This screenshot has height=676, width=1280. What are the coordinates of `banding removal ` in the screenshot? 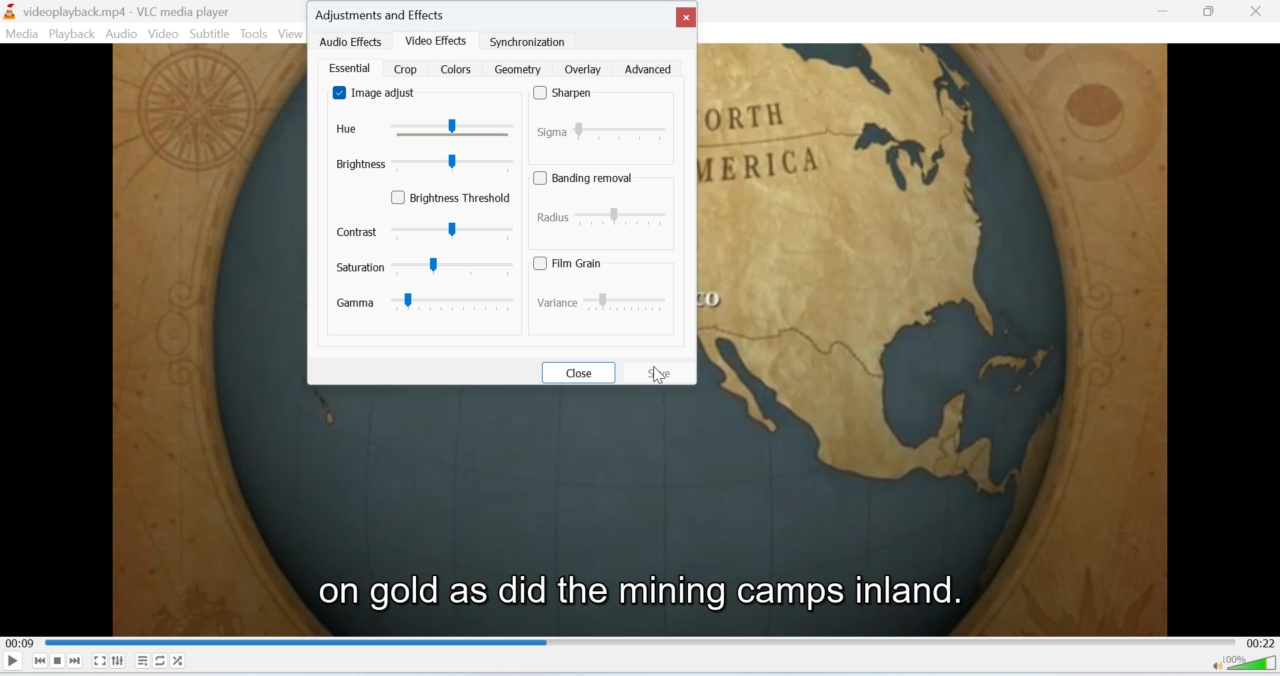 It's located at (587, 178).